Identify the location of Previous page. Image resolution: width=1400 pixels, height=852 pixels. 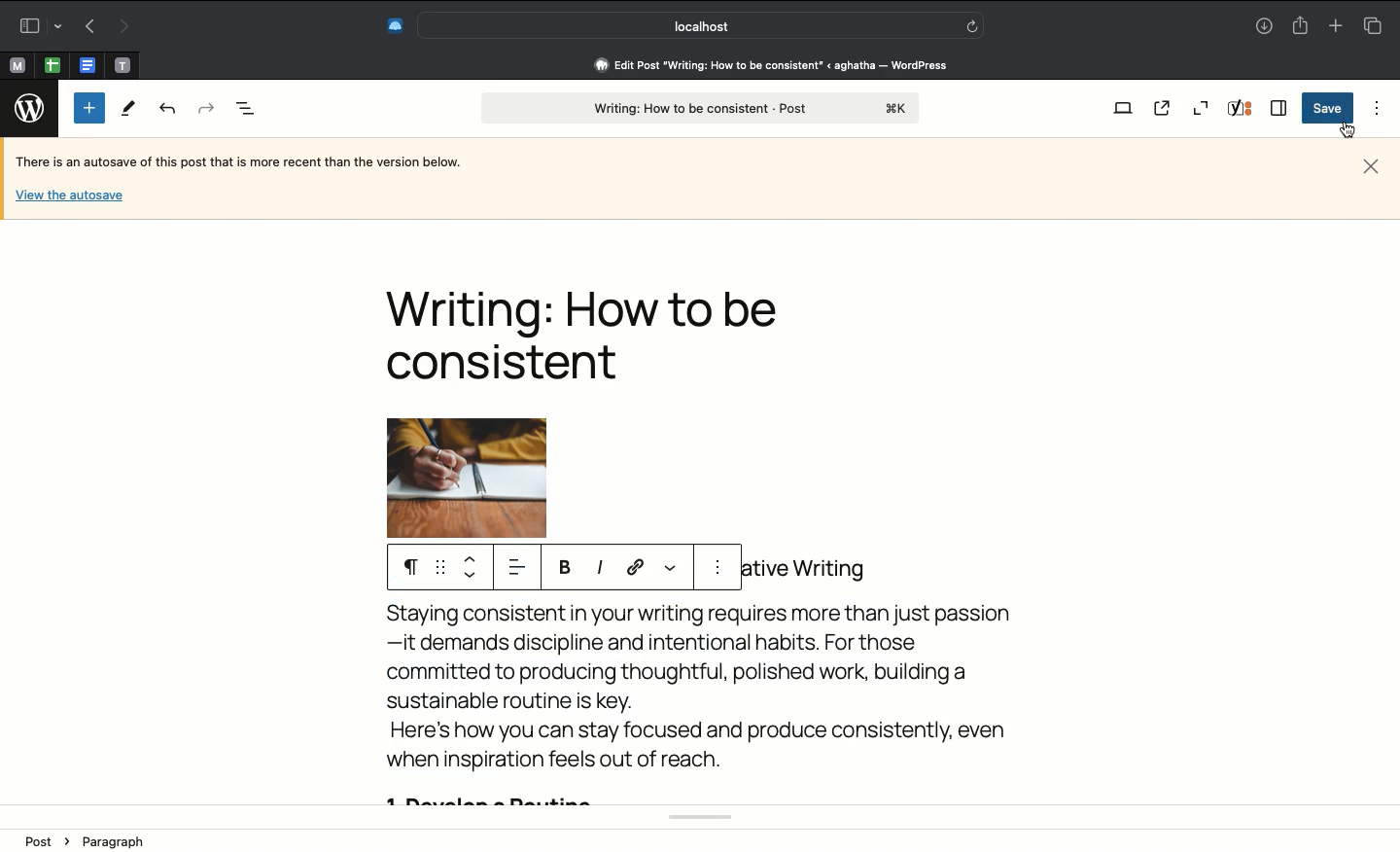
(87, 27).